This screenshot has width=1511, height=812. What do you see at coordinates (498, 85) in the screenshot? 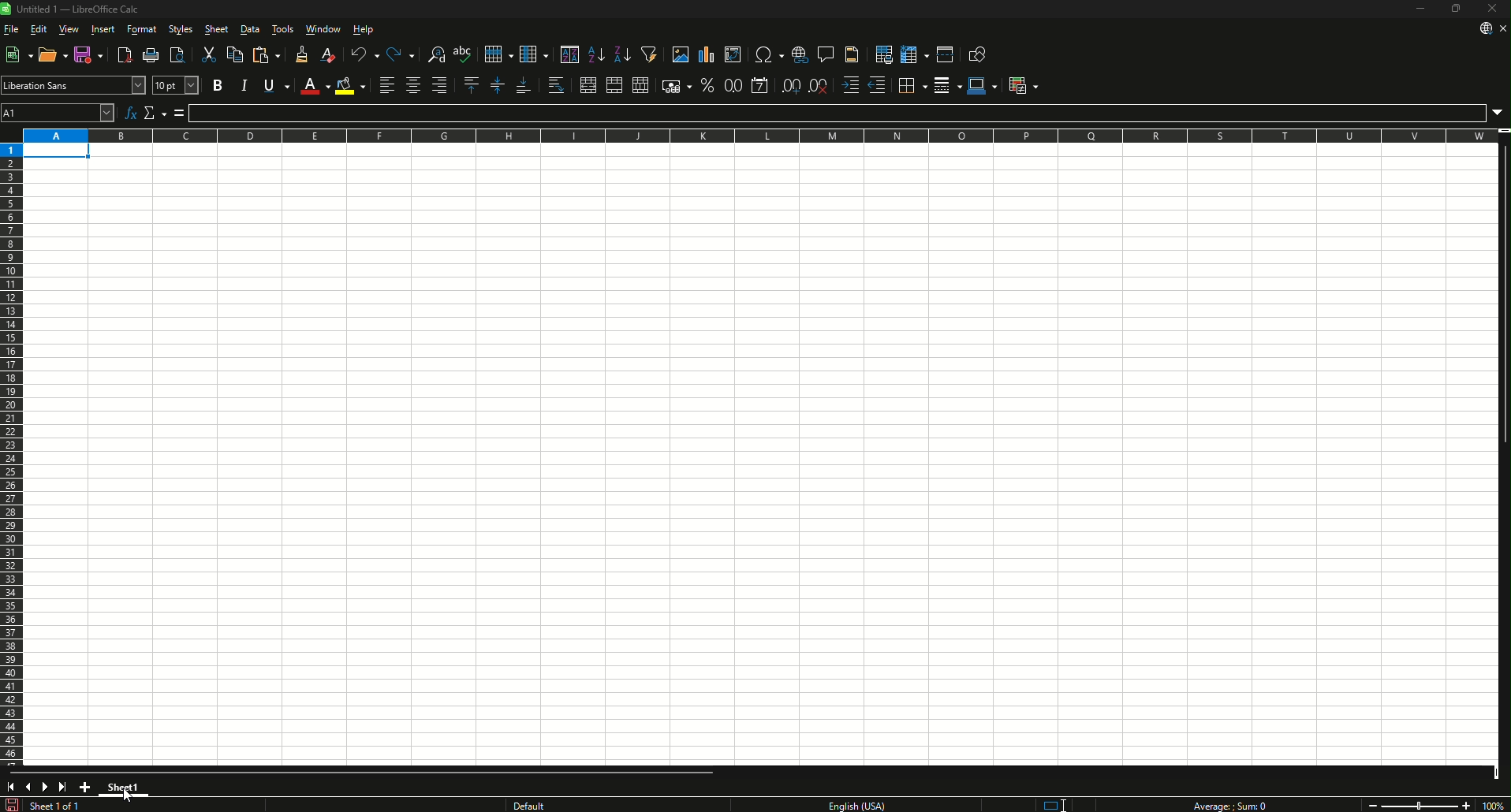
I see `Center Vertically` at bounding box center [498, 85].